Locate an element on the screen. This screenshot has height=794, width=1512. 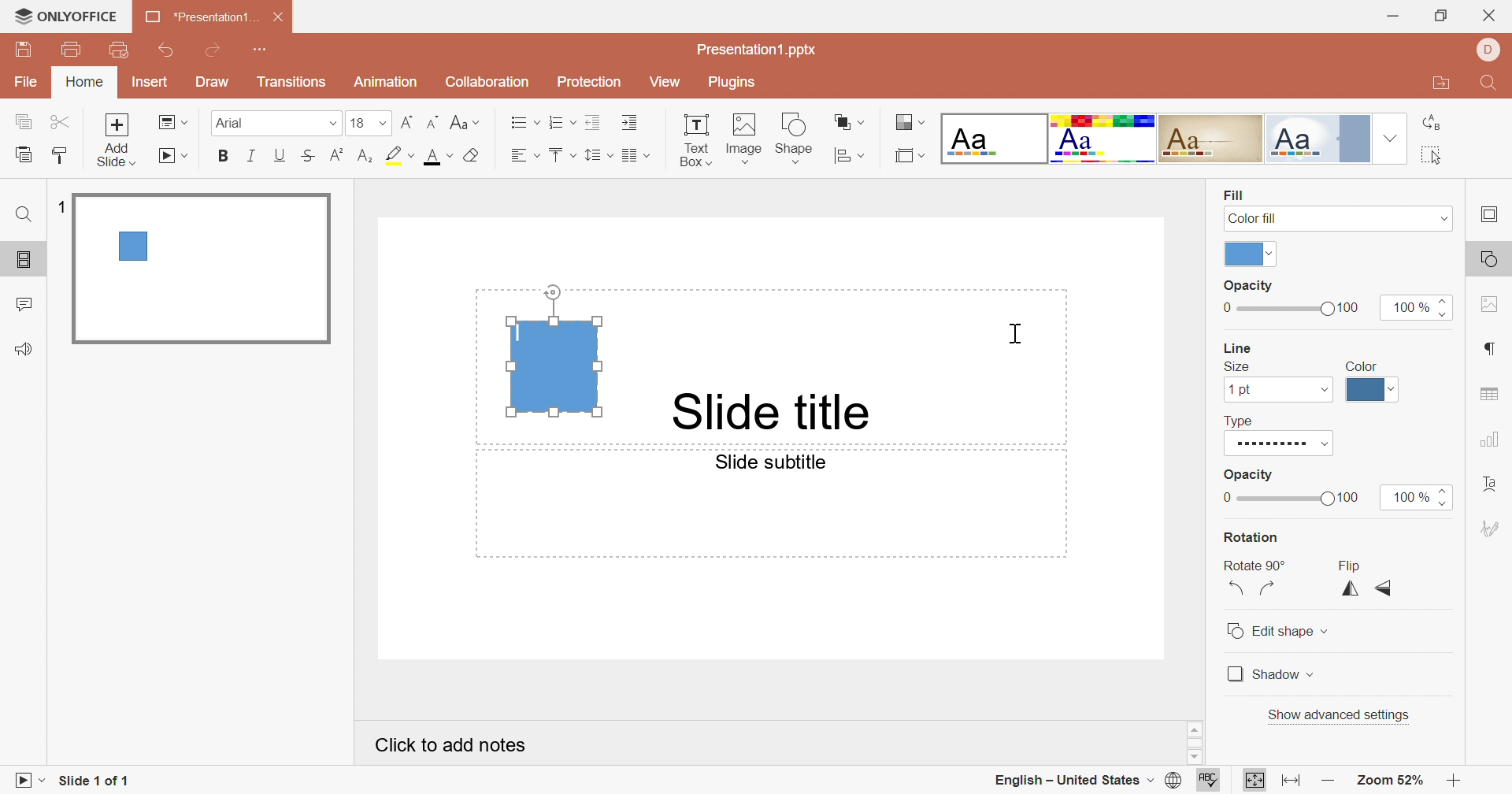
English - United States is located at coordinates (1069, 779).